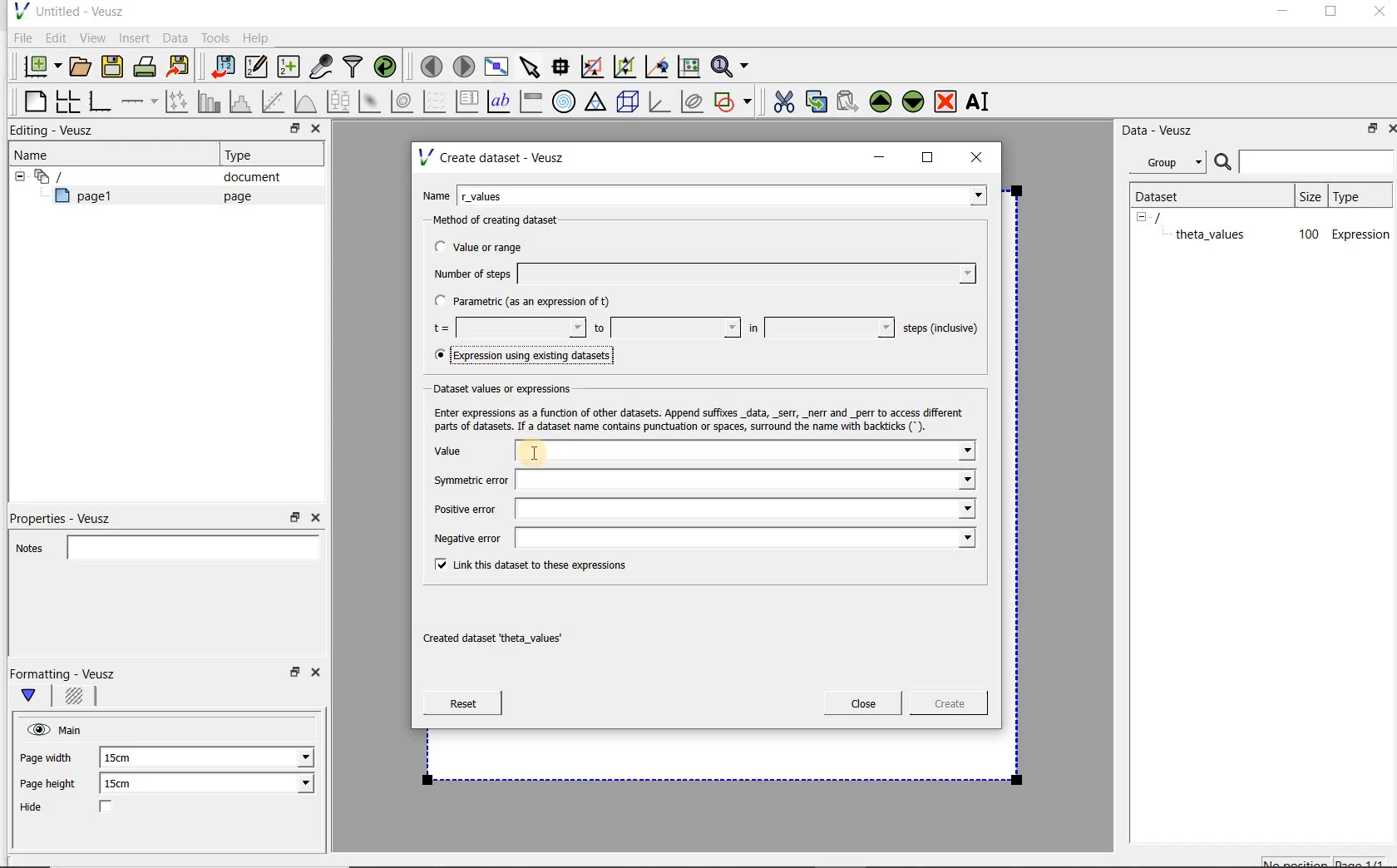  Describe the element at coordinates (1142, 216) in the screenshot. I see `hide sub menu` at that location.